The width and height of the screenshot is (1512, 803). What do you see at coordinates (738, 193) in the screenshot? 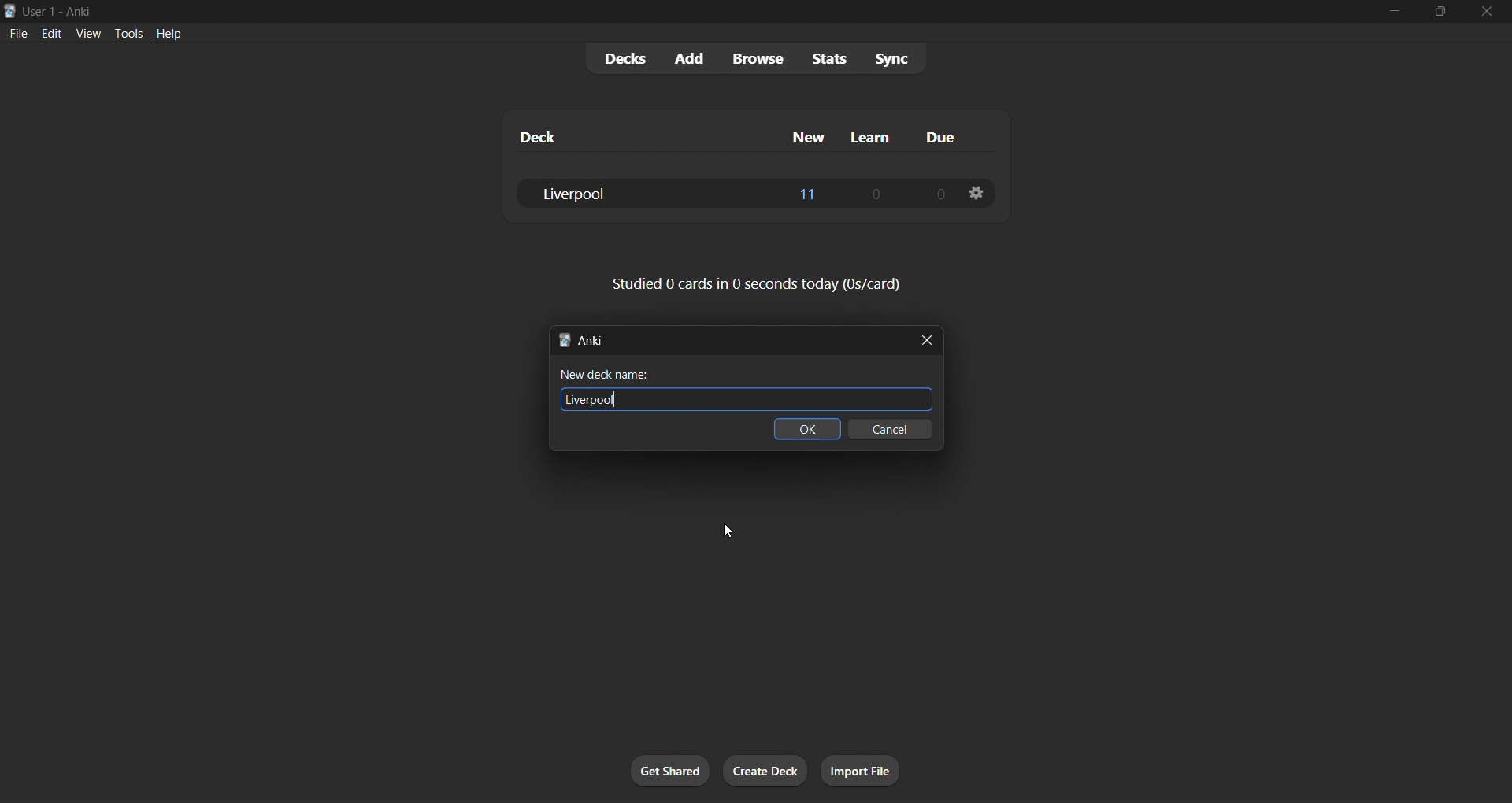
I see `liverpool deck data` at bounding box center [738, 193].